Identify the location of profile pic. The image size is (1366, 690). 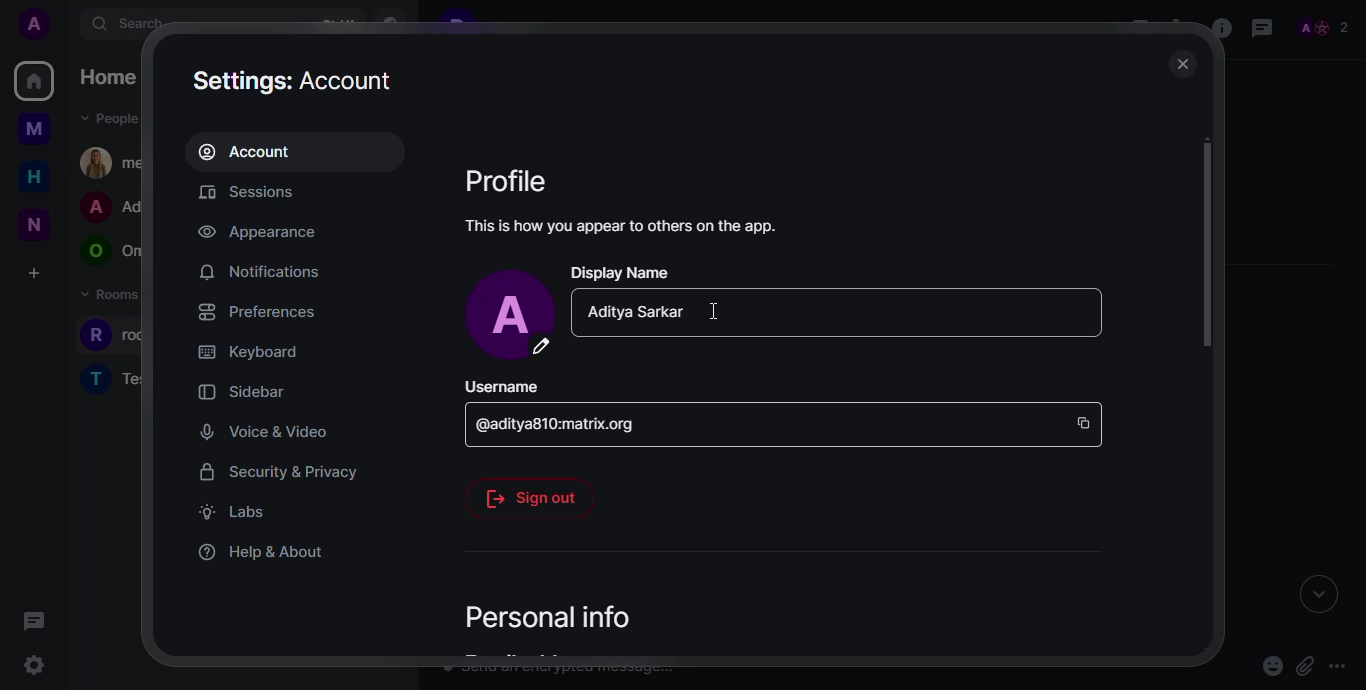
(512, 315).